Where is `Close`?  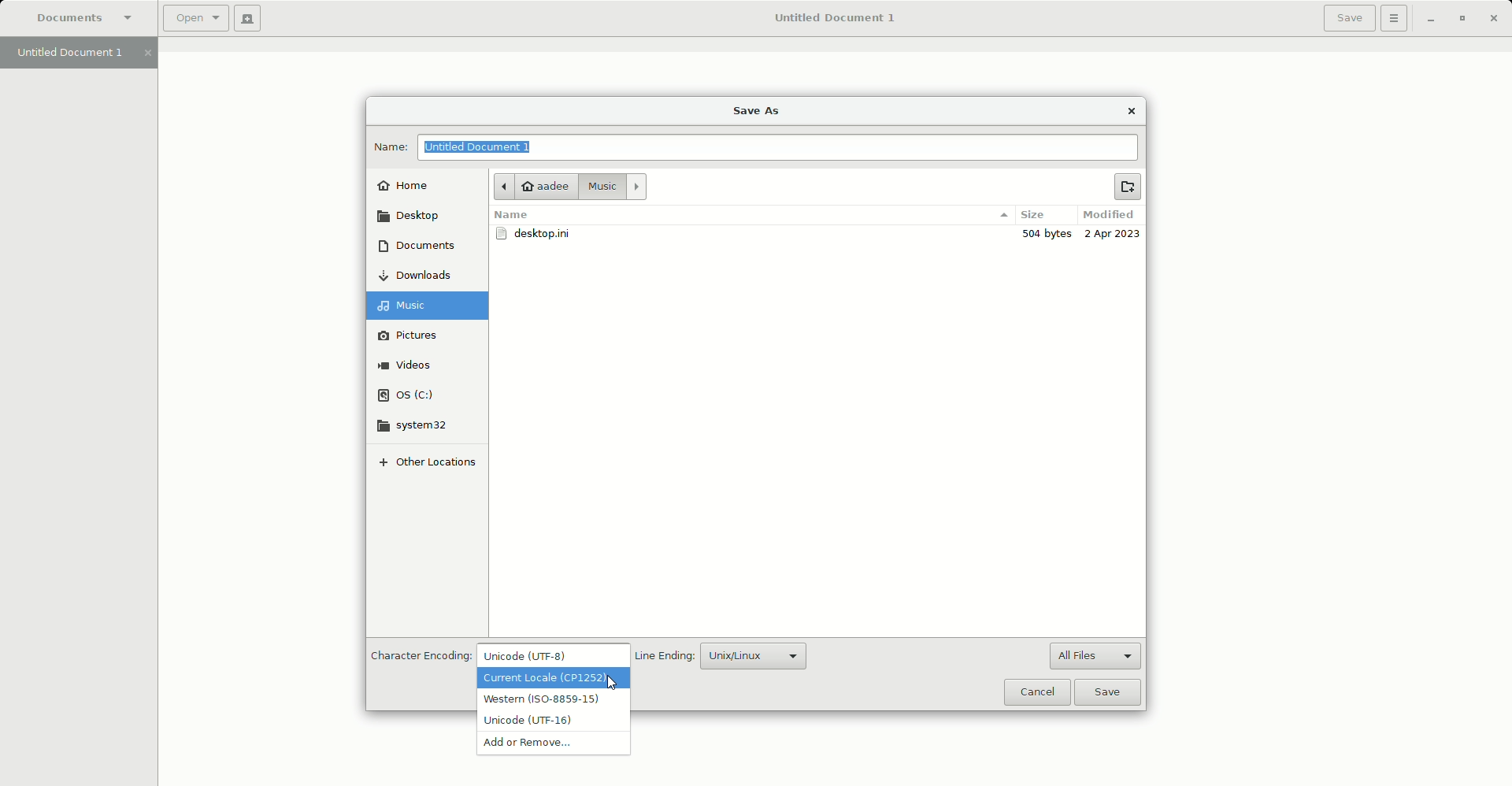
Close is located at coordinates (1132, 109).